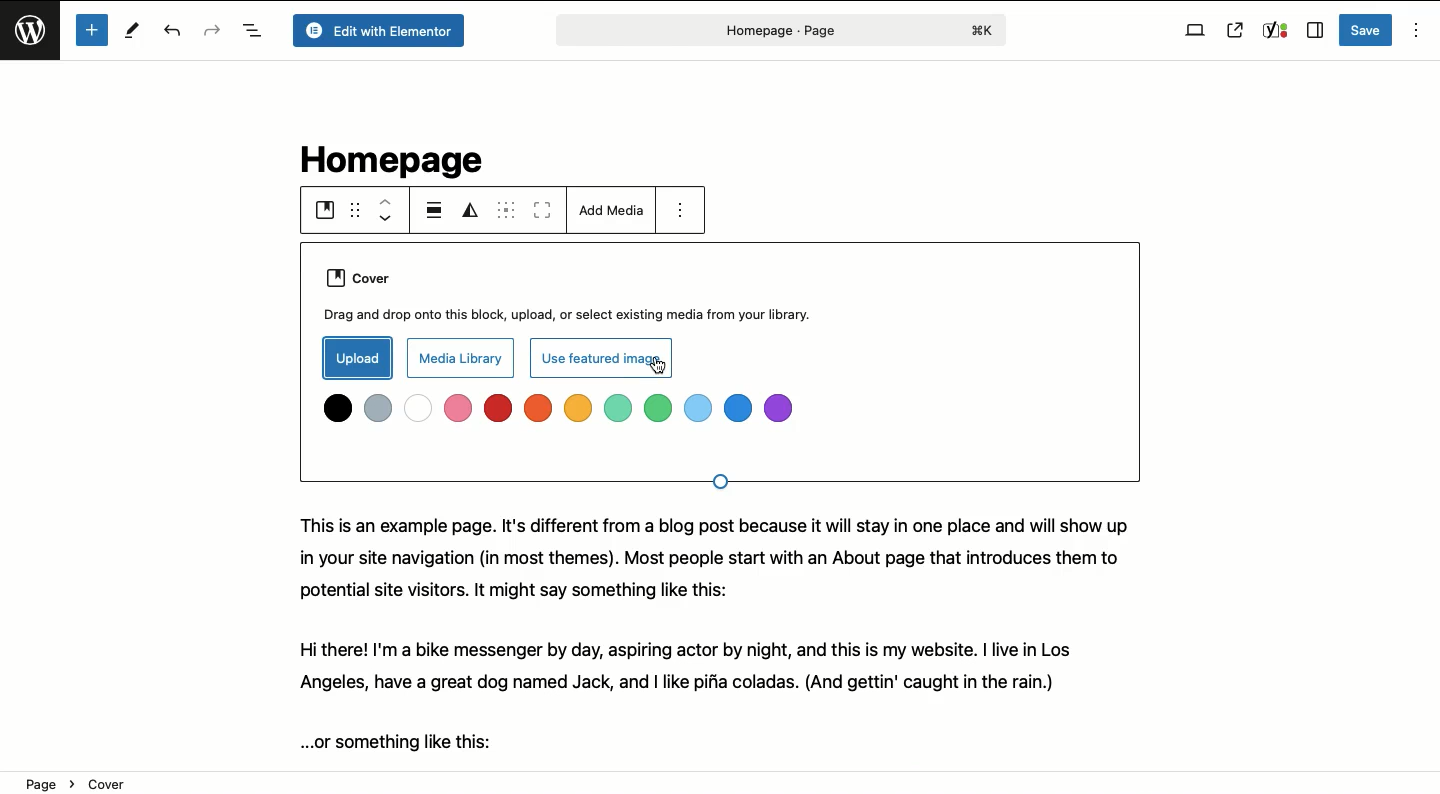 The height and width of the screenshot is (794, 1440). I want to click on Duotone, so click(470, 211).